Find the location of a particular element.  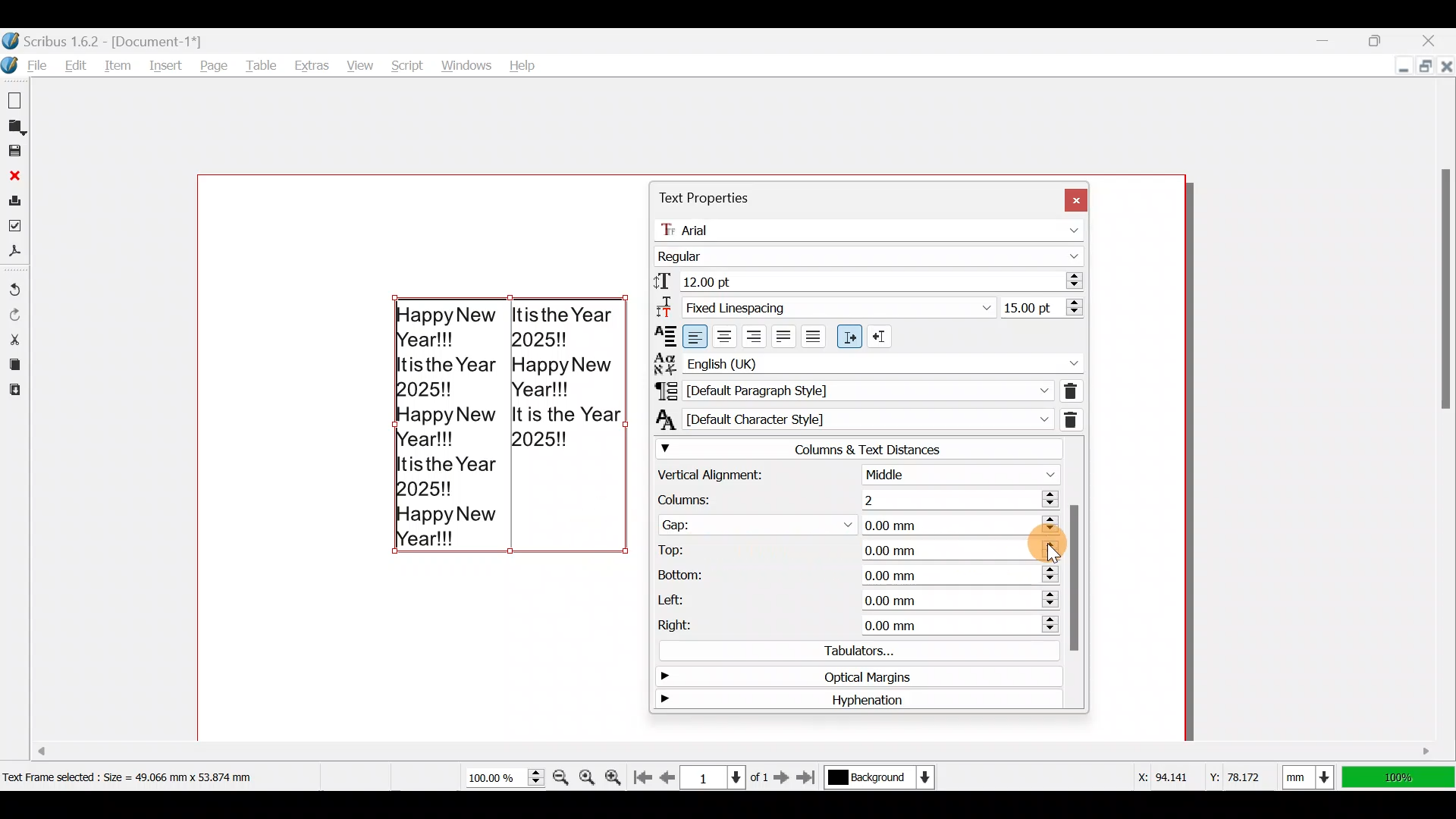

Zoom in by the stepping value in tools preferences is located at coordinates (614, 777).